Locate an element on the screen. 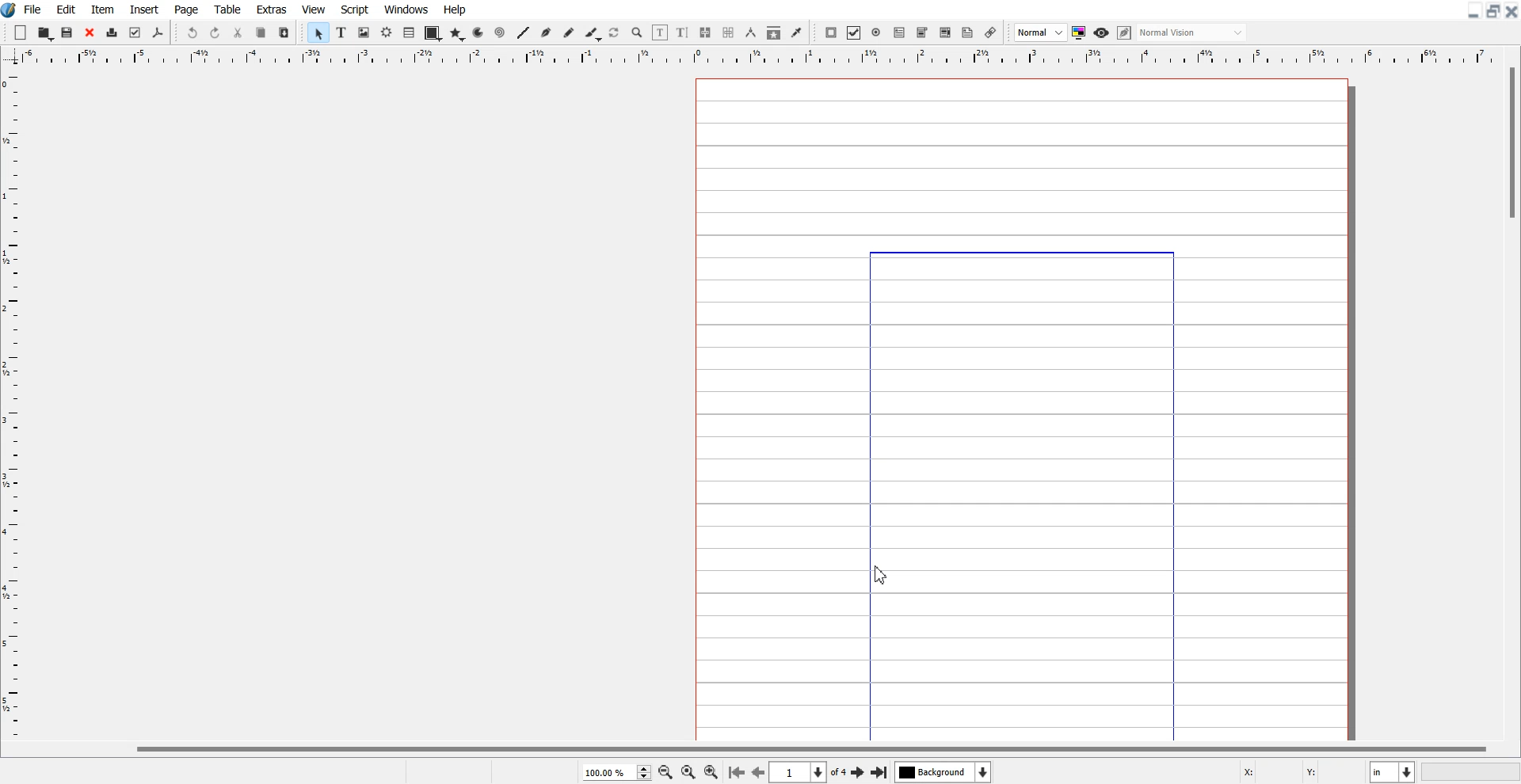 This screenshot has height=784, width=1521. Copy is located at coordinates (262, 32).